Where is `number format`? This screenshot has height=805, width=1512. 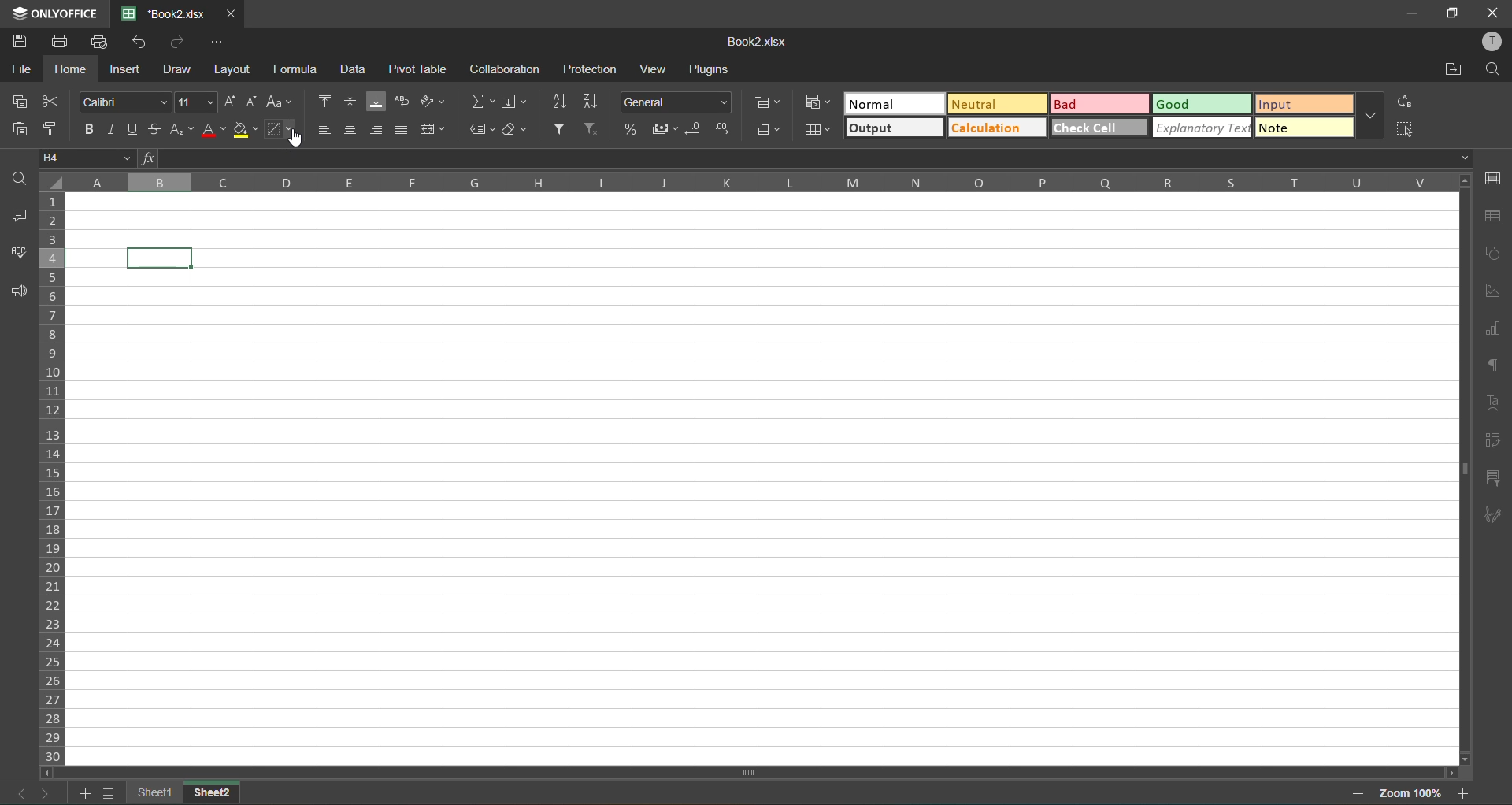
number format is located at coordinates (678, 104).